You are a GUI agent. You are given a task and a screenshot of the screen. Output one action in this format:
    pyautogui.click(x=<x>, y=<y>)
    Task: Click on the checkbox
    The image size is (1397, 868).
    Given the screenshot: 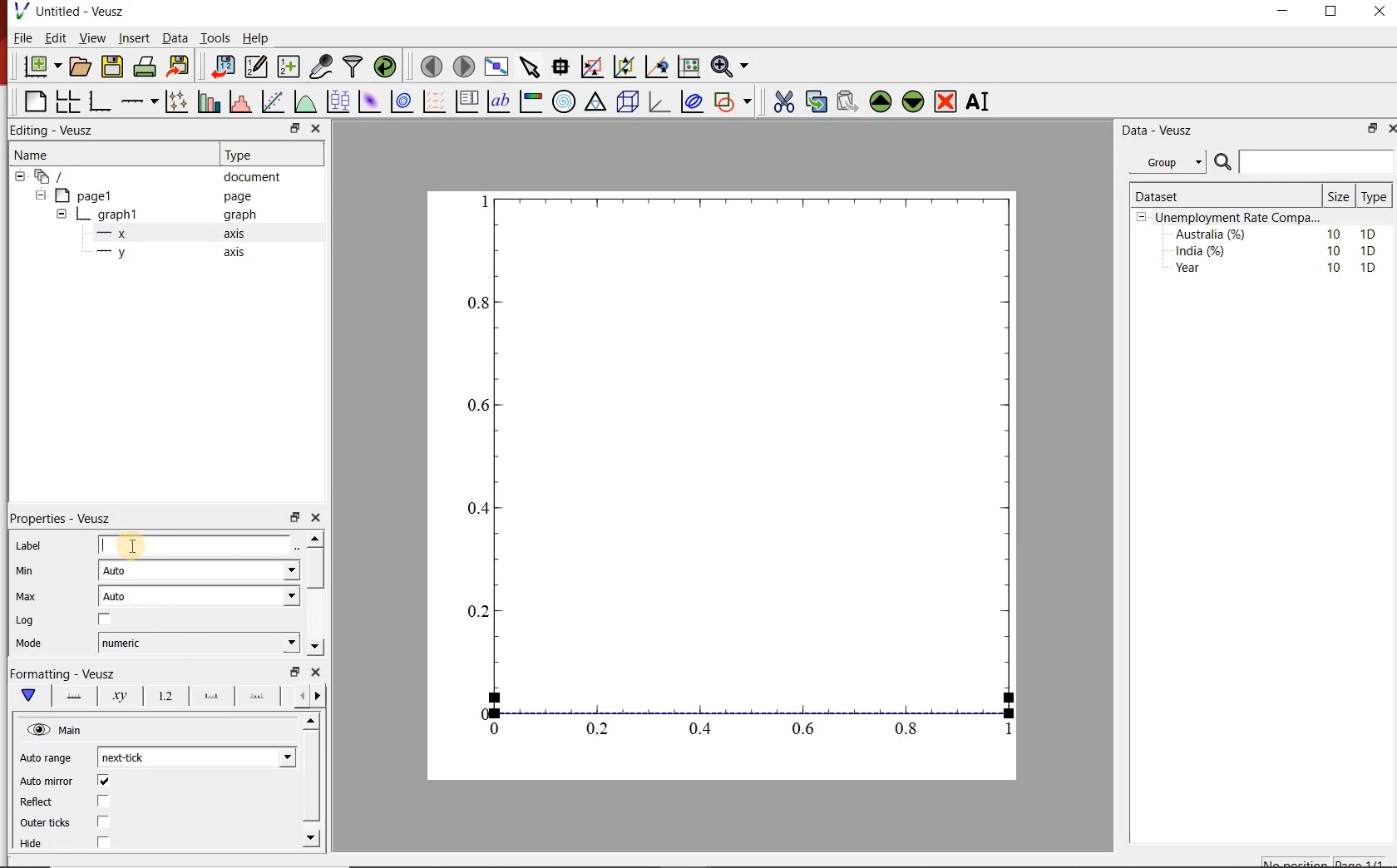 What is the action you would take?
    pyautogui.click(x=103, y=842)
    